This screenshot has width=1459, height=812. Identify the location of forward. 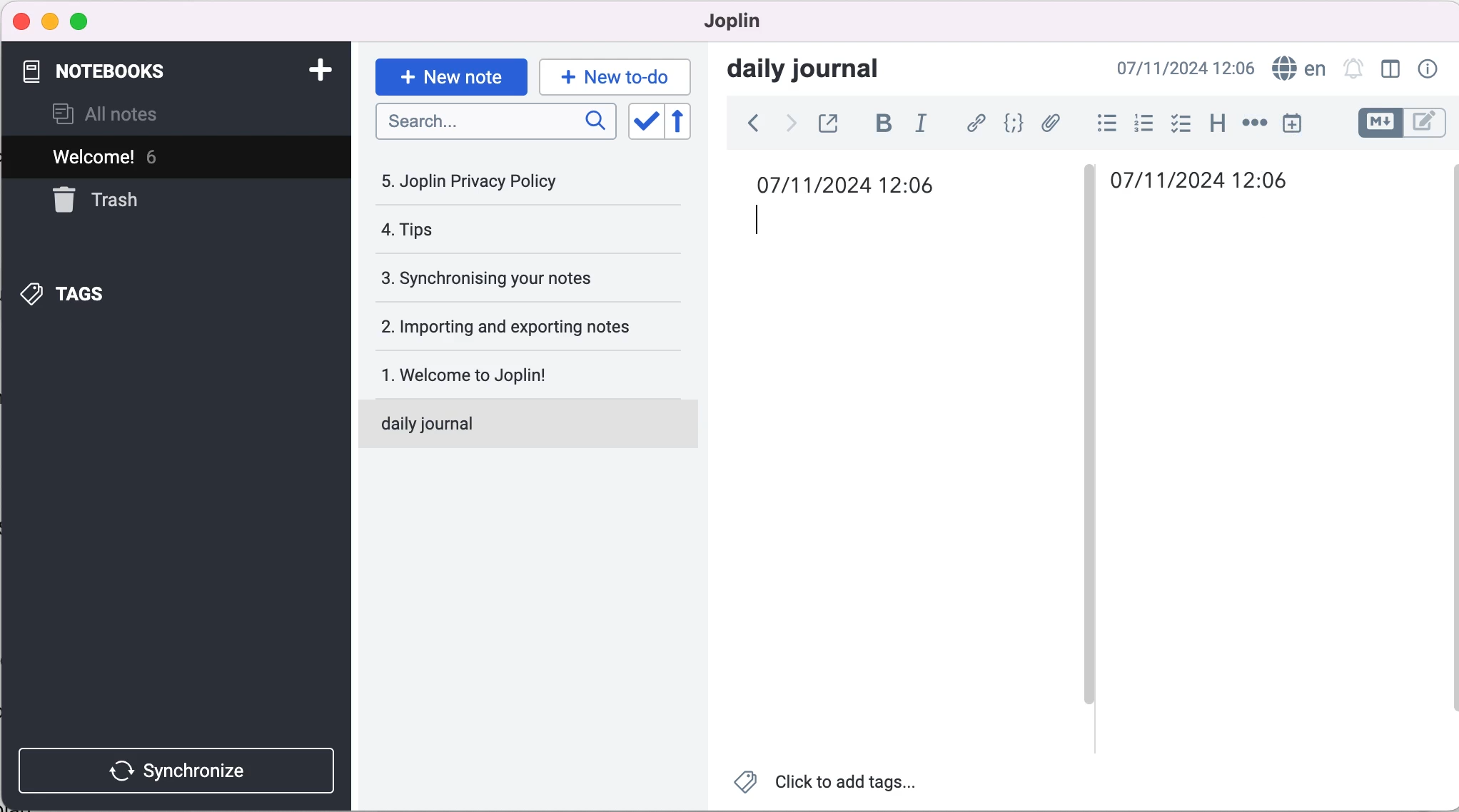
(789, 123).